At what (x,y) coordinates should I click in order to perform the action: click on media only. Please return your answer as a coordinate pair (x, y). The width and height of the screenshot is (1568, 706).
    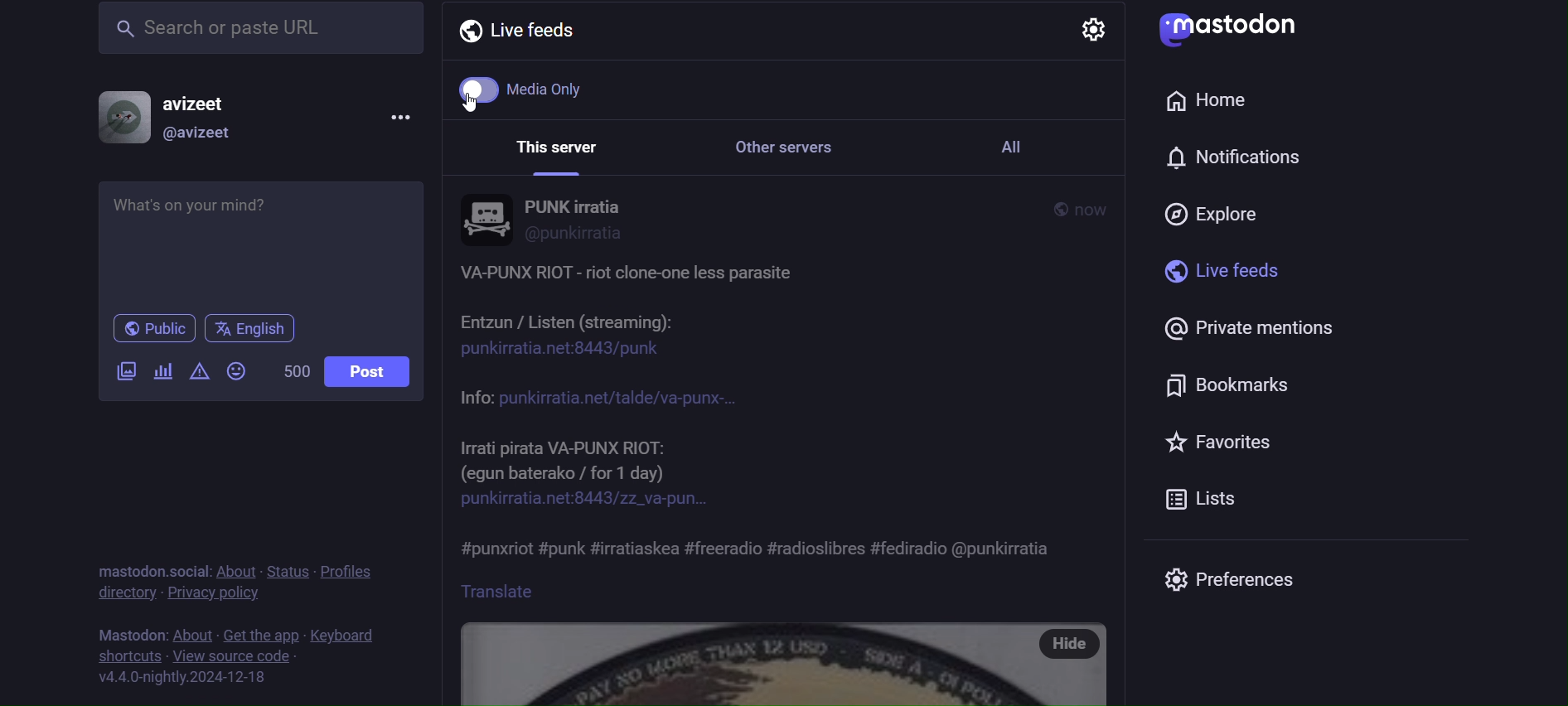
    Looking at the image, I should click on (530, 92).